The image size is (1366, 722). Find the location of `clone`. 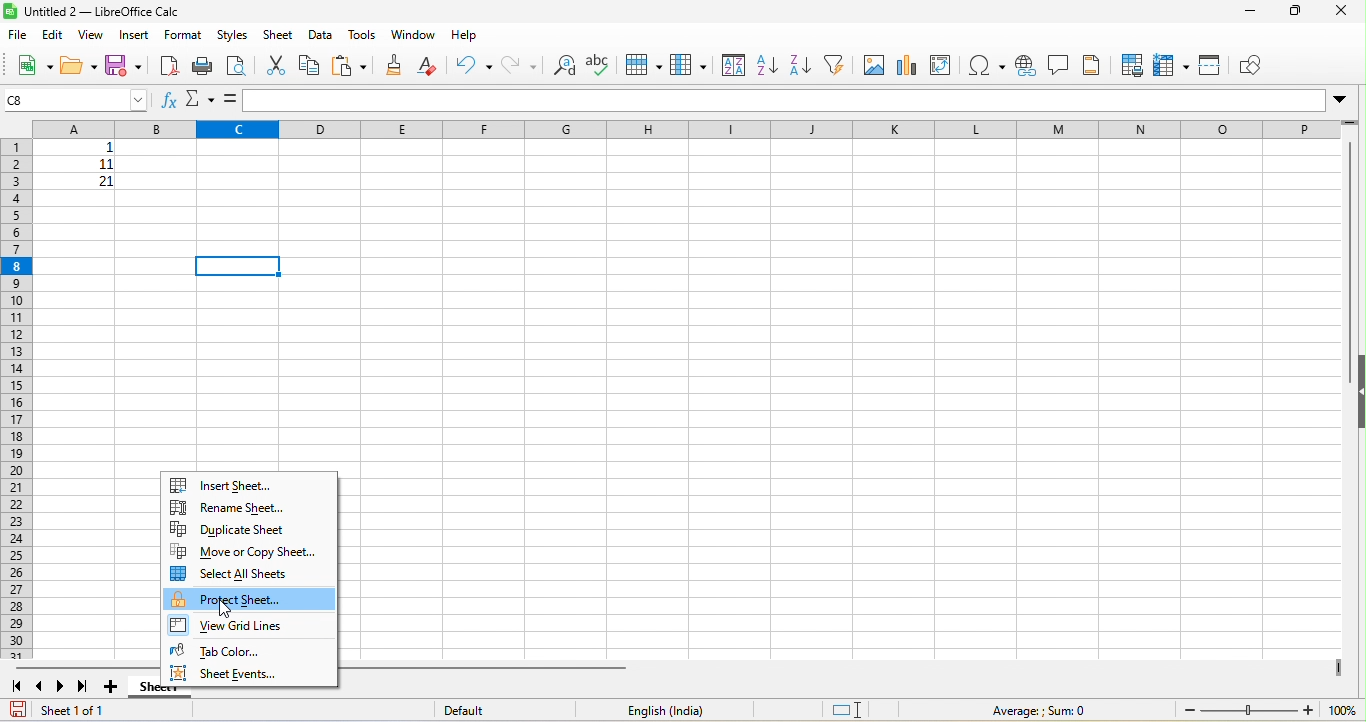

clone is located at coordinates (397, 65).